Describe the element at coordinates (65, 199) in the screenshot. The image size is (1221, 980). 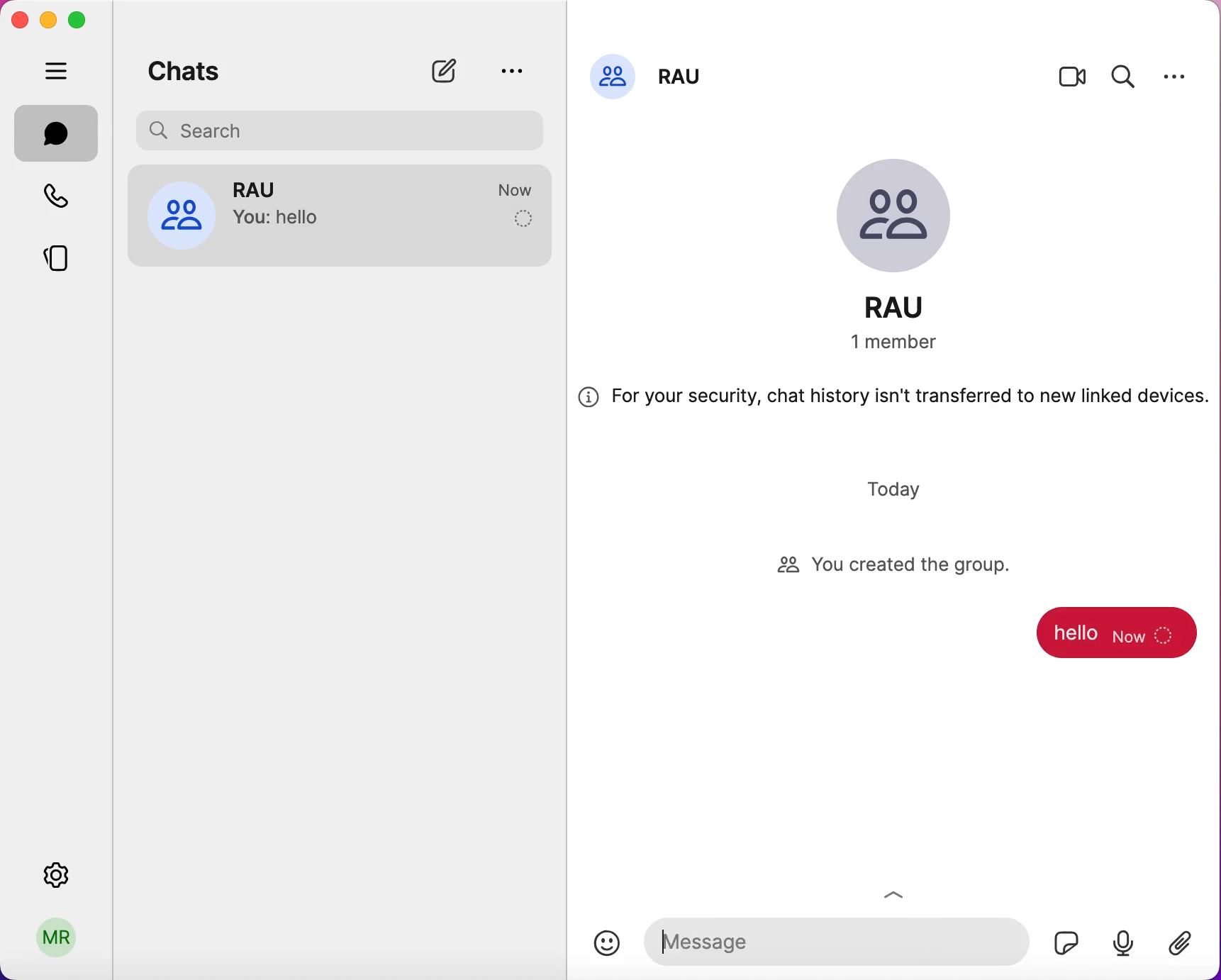
I see `calls` at that location.